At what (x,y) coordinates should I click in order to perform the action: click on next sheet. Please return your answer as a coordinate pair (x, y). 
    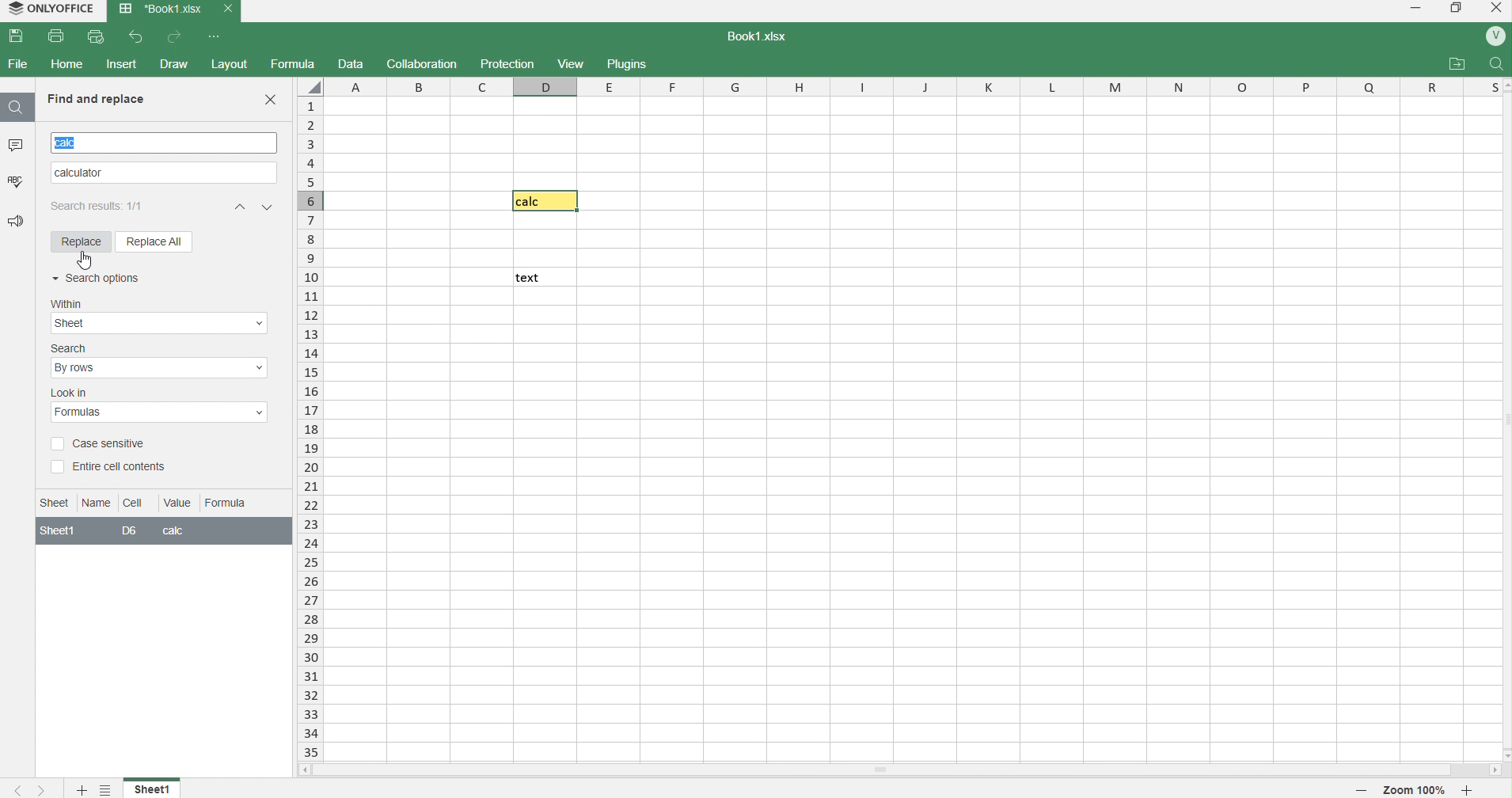
    Looking at the image, I should click on (40, 788).